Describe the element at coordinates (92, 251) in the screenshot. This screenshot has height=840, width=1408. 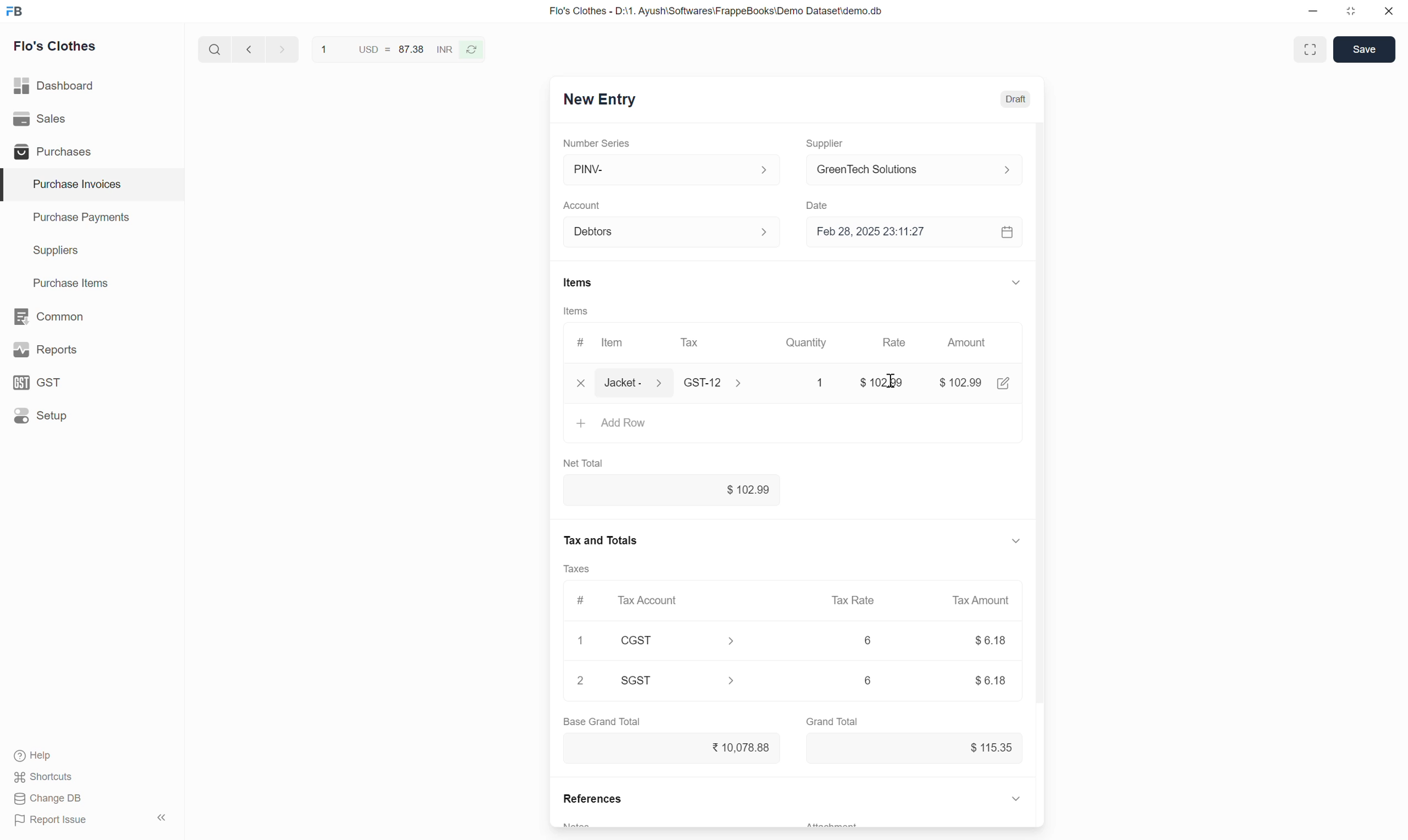
I see `Suppliers` at that location.